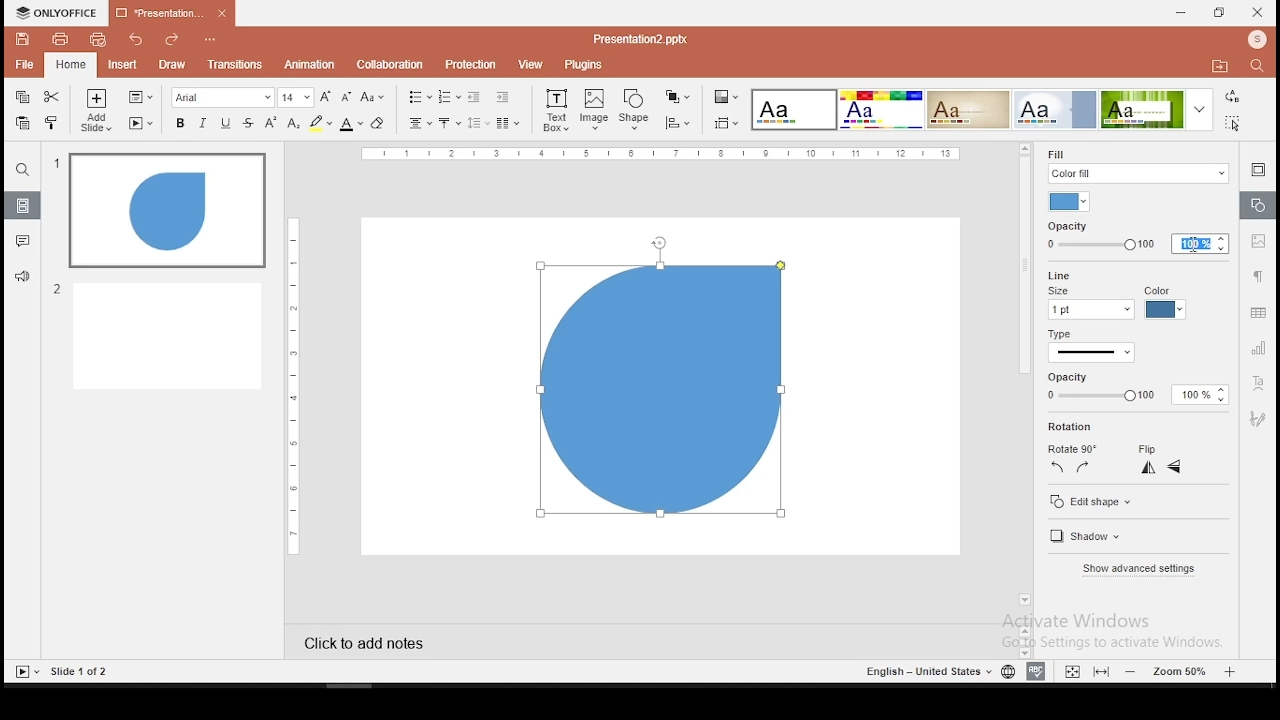  Describe the element at coordinates (530, 64) in the screenshot. I see `view` at that location.